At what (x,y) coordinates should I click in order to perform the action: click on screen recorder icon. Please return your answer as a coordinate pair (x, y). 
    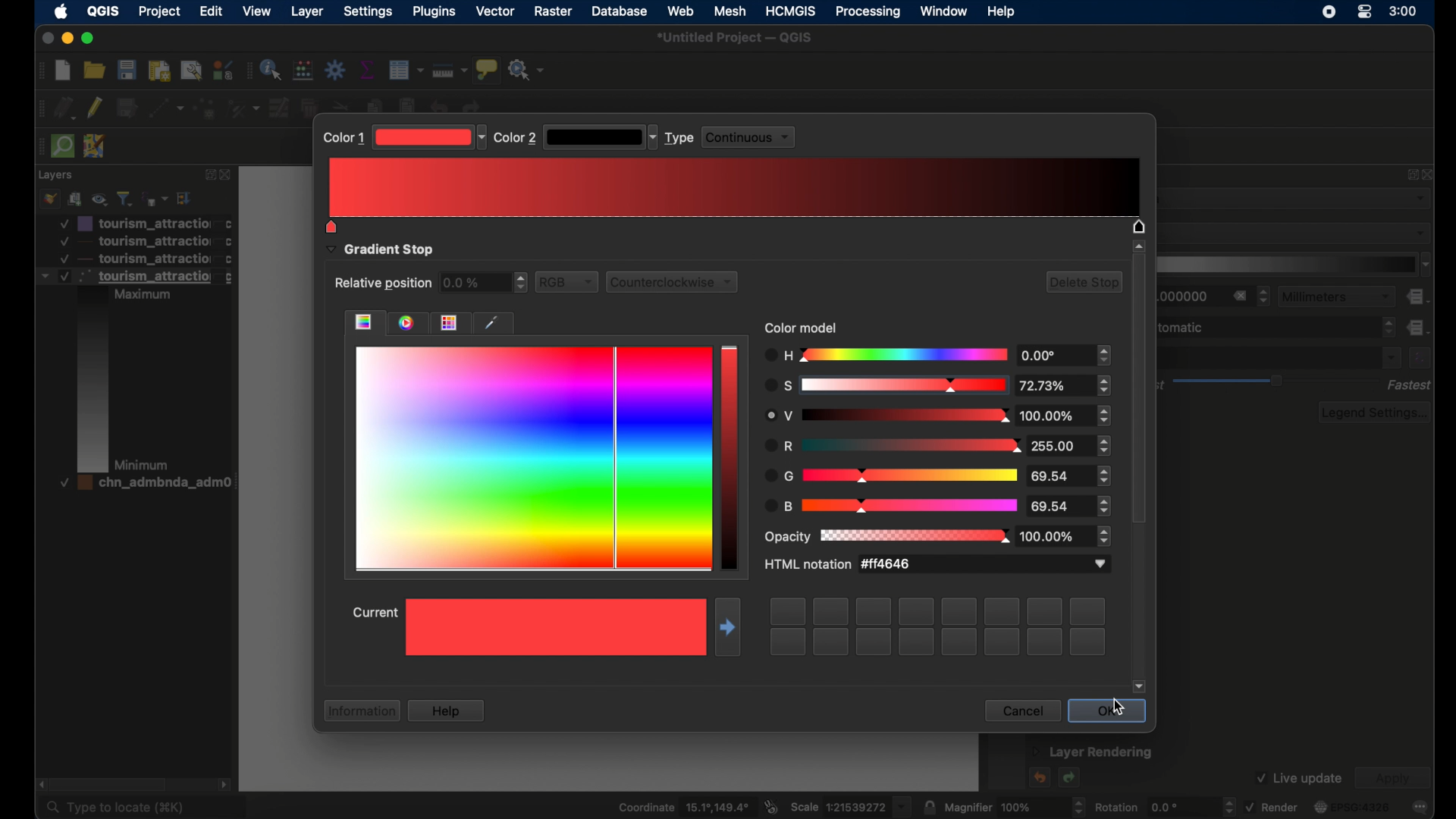
    Looking at the image, I should click on (1329, 14).